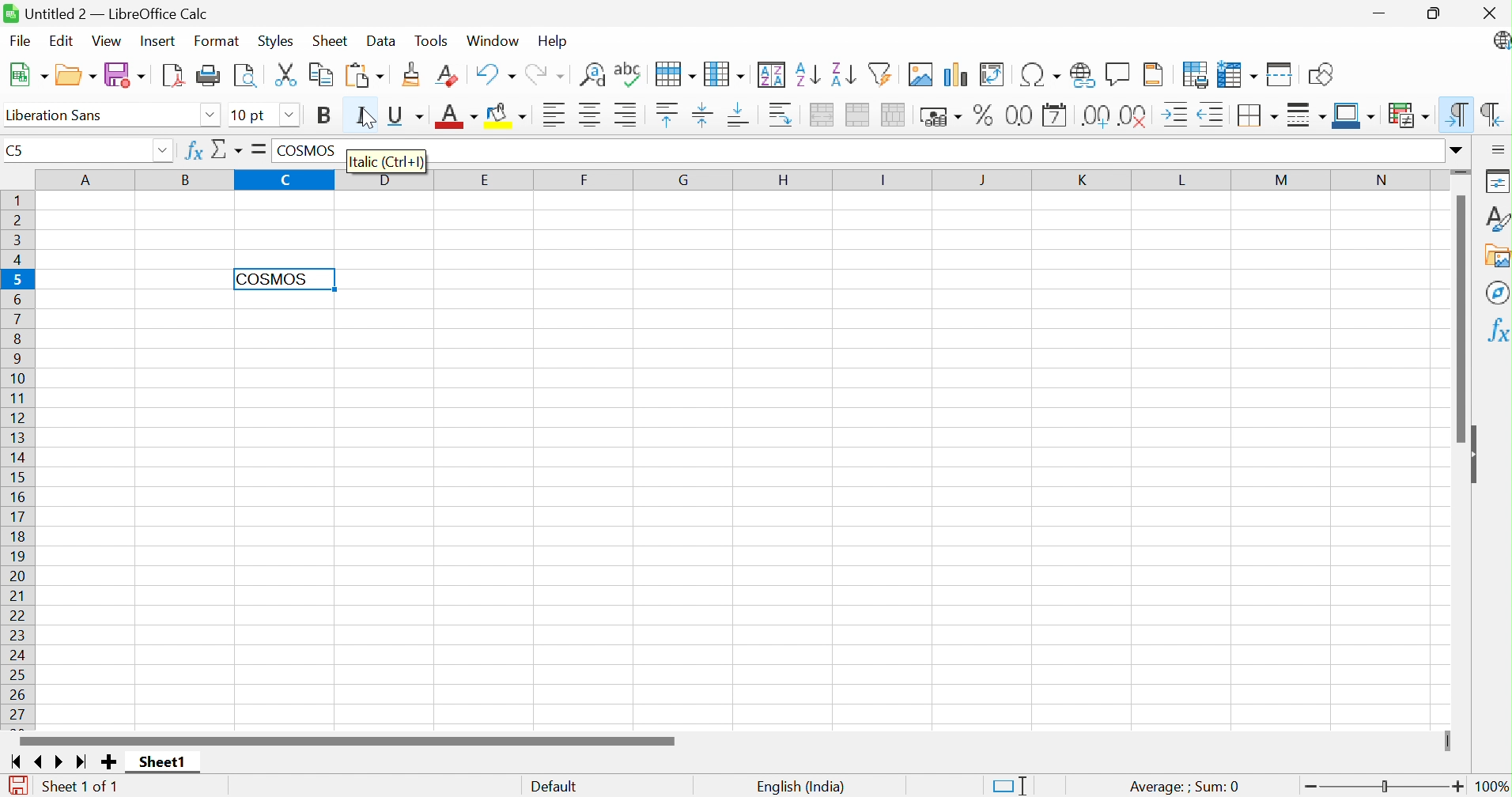 This screenshot has height=797, width=1512. Describe the element at coordinates (81, 788) in the screenshot. I see `Sheet 1 of 1` at that location.